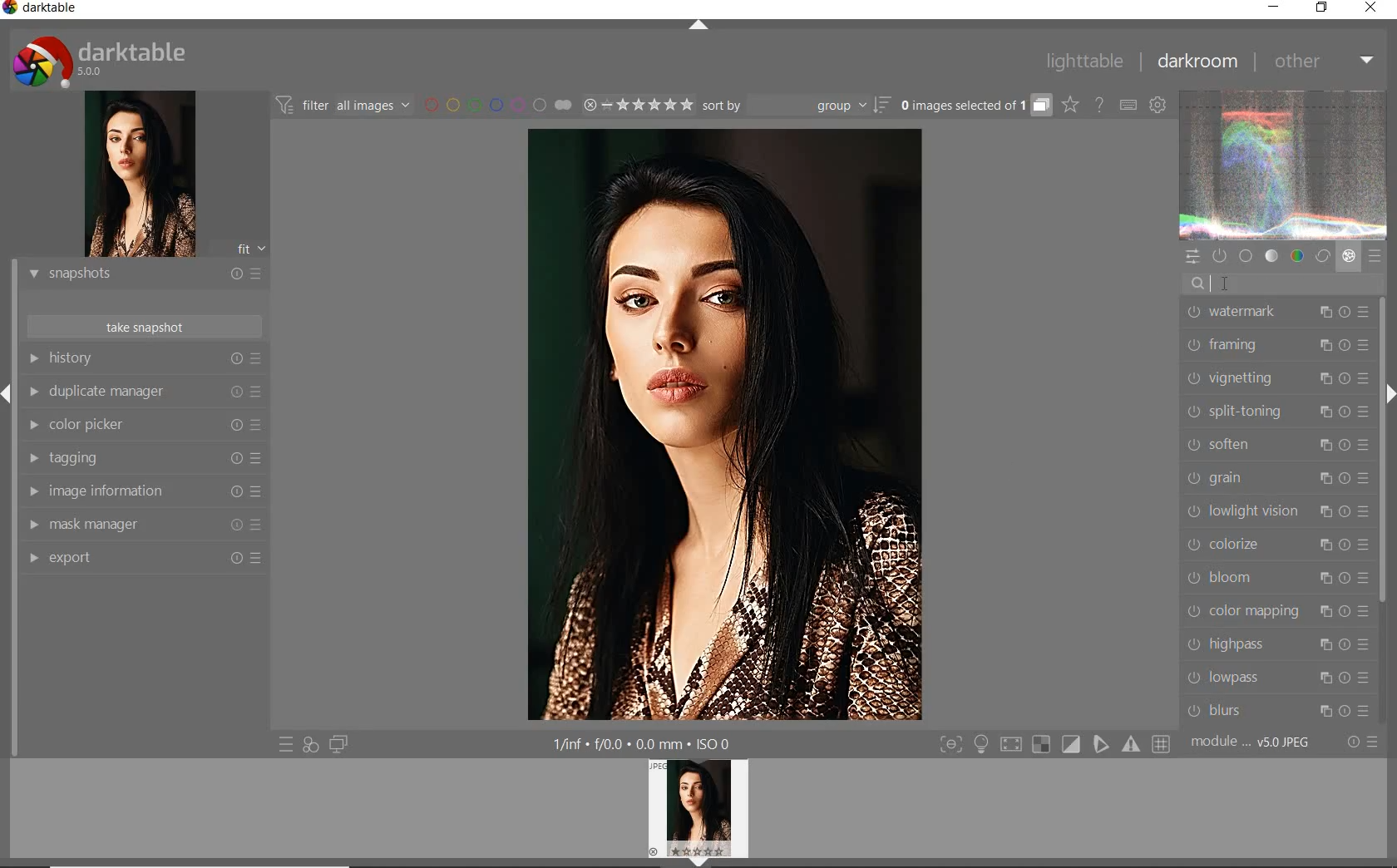  What do you see at coordinates (1276, 376) in the screenshot?
I see `VIGNETTING` at bounding box center [1276, 376].